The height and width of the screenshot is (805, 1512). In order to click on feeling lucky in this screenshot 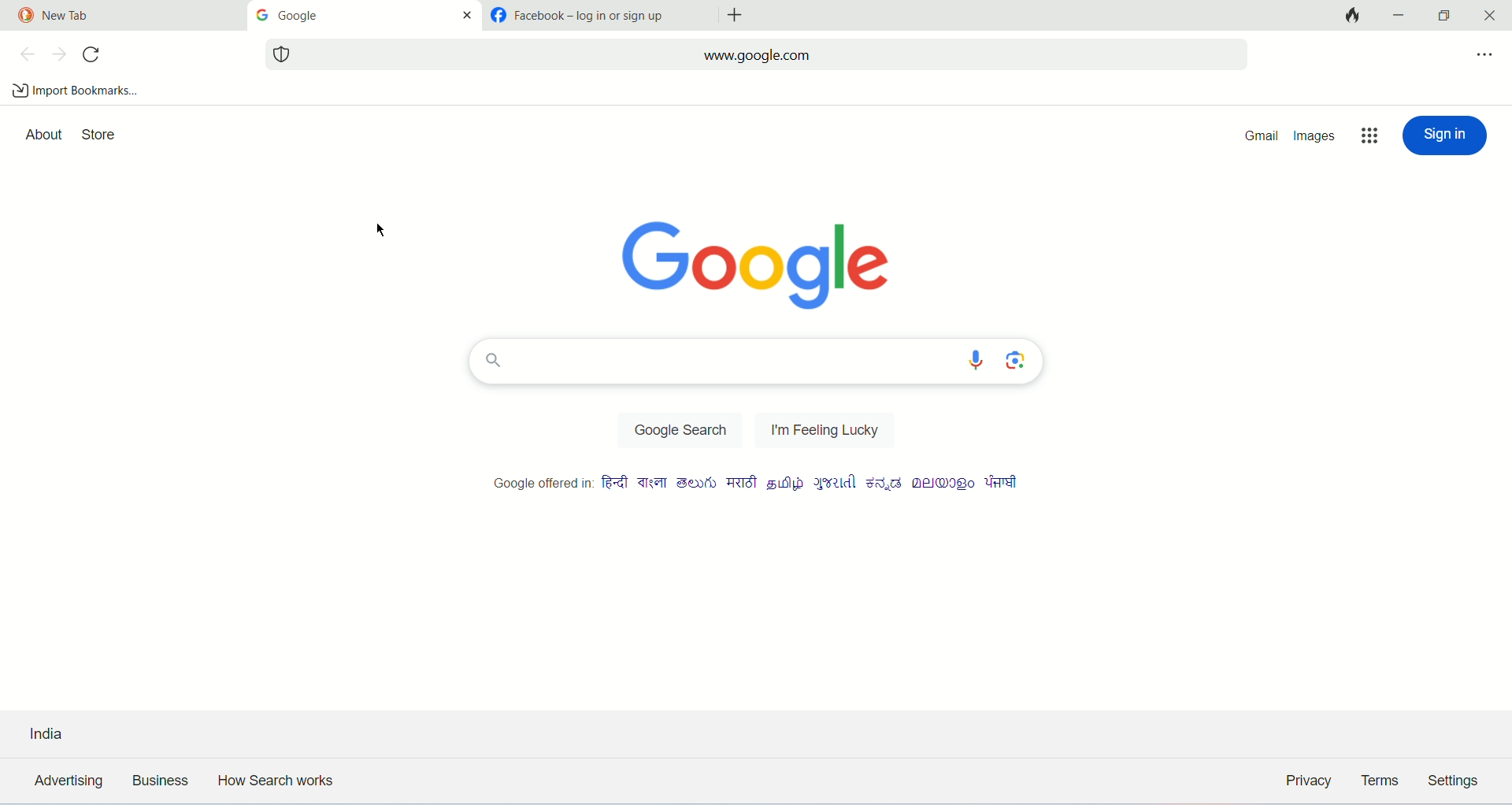, I will do `click(825, 431)`.